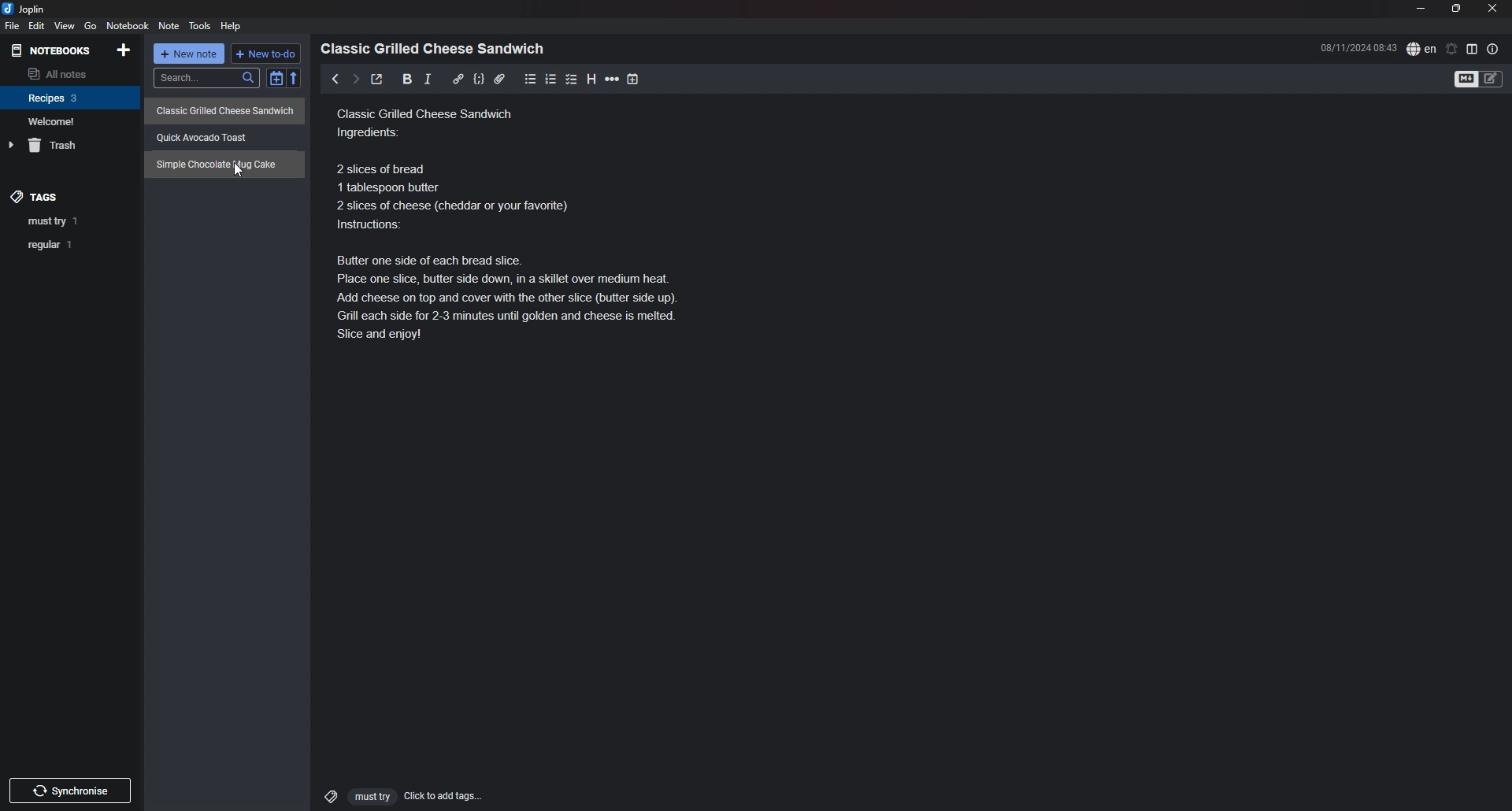 This screenshot has height=811, width=1512. I want to click on note, so click(169, 27).